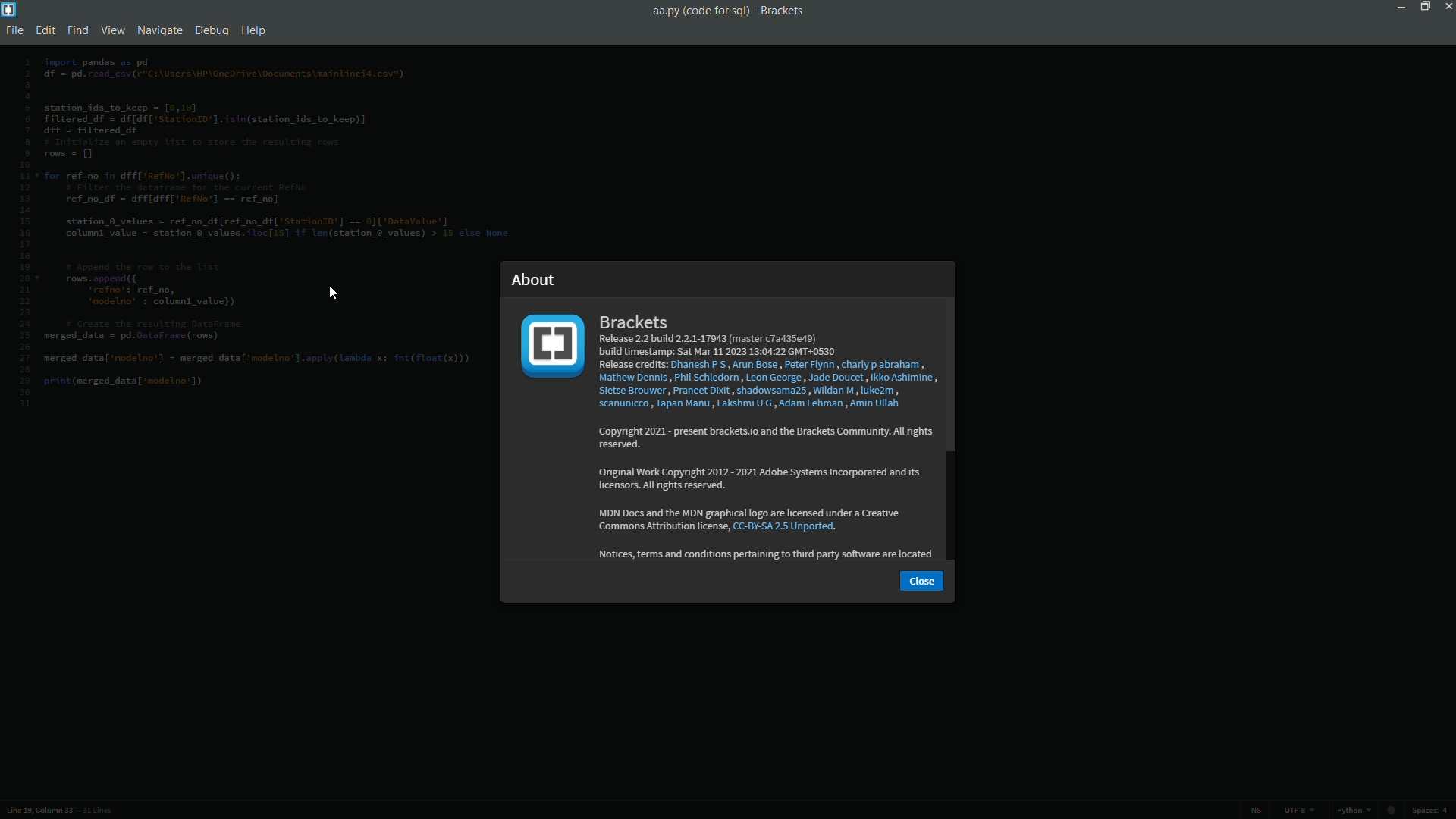  What do you see at coordinates (159, 30) in the screenshot?
I see `navigate menu` at bounding box center [159, 30].